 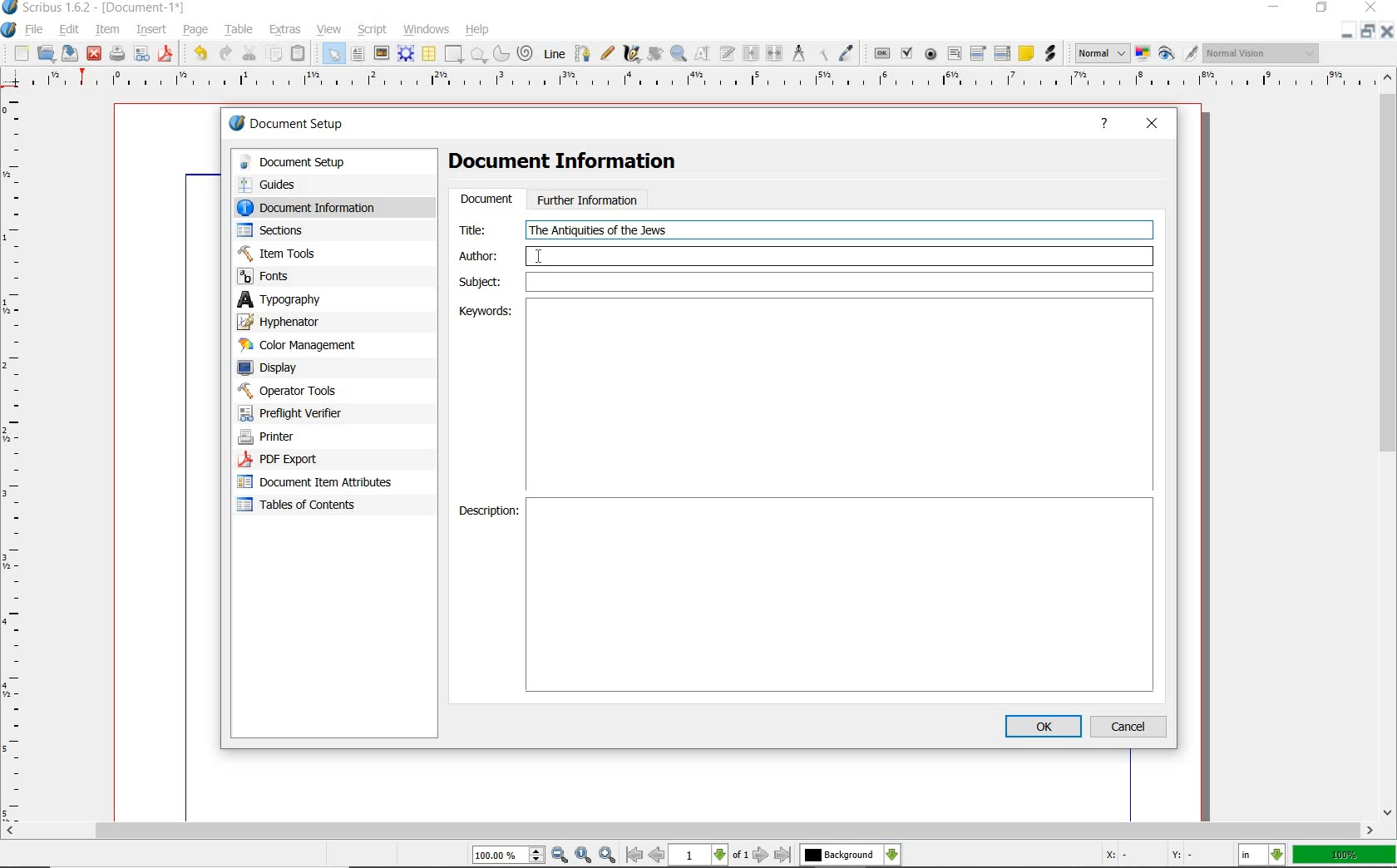 I want to click on preflight verifier, so click(x=300, y=413).